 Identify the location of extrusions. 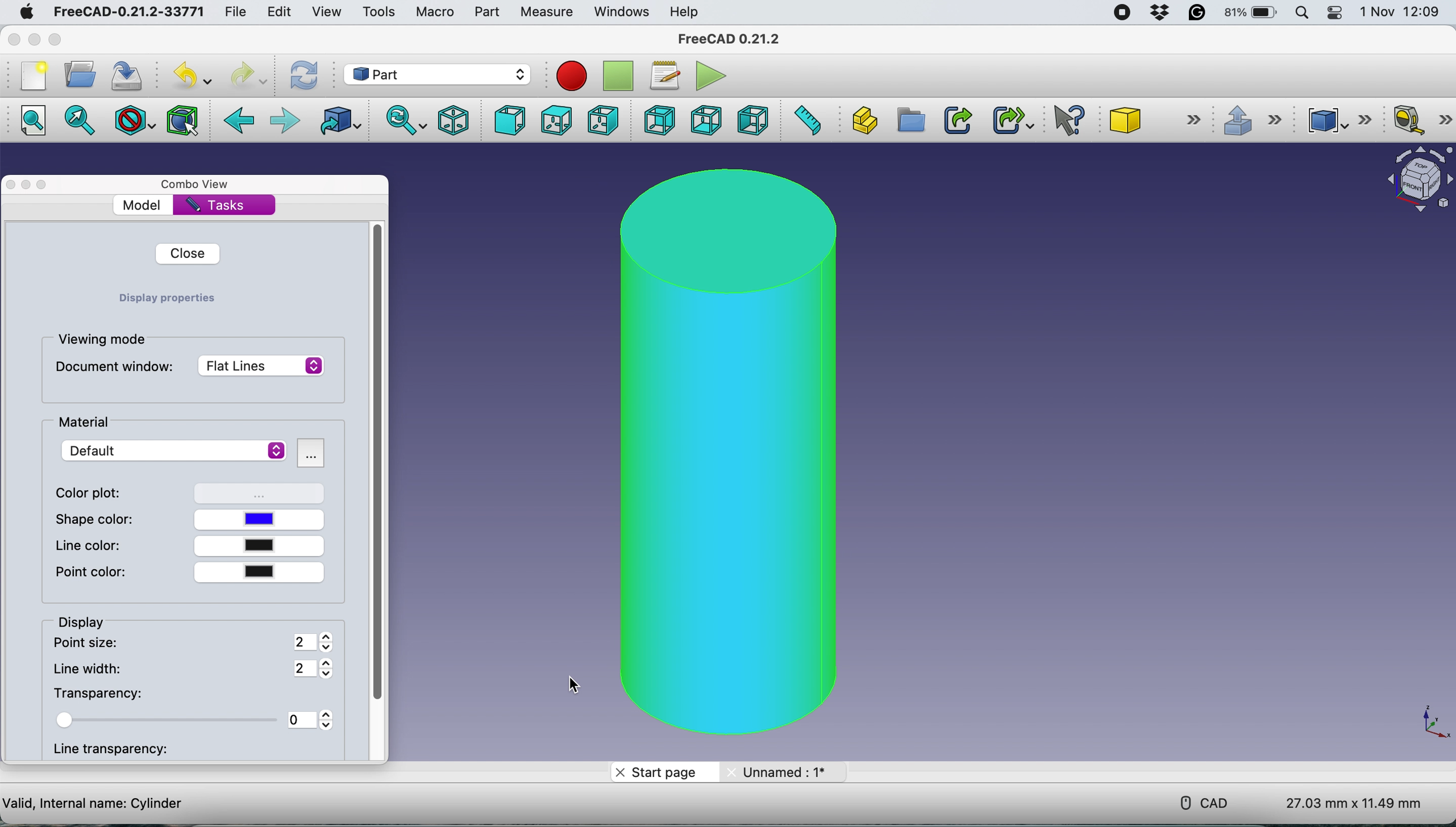
(1256, 122).